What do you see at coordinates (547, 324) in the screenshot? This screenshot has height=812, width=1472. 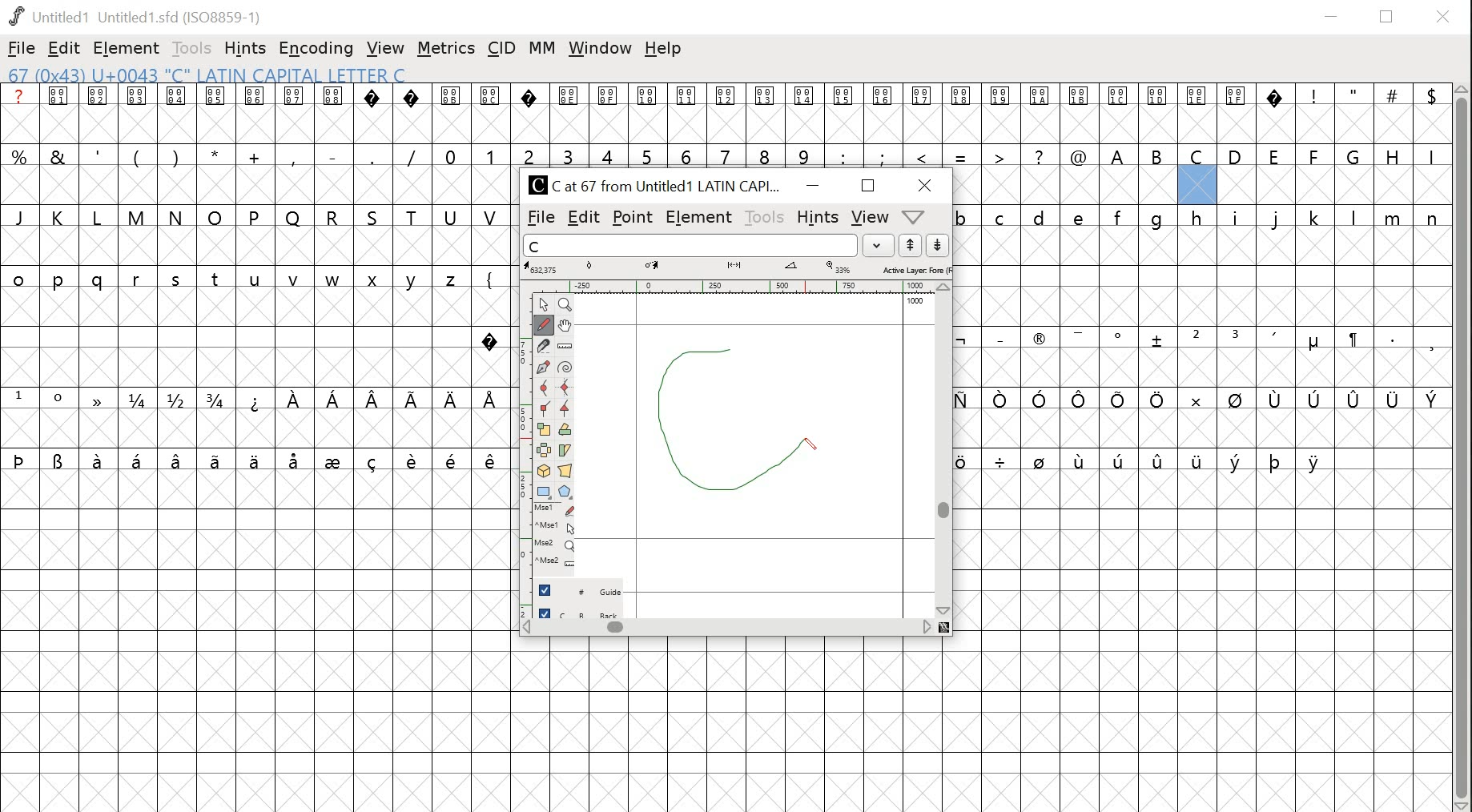 I see `freehand tool` at bounding box center [547, 324].